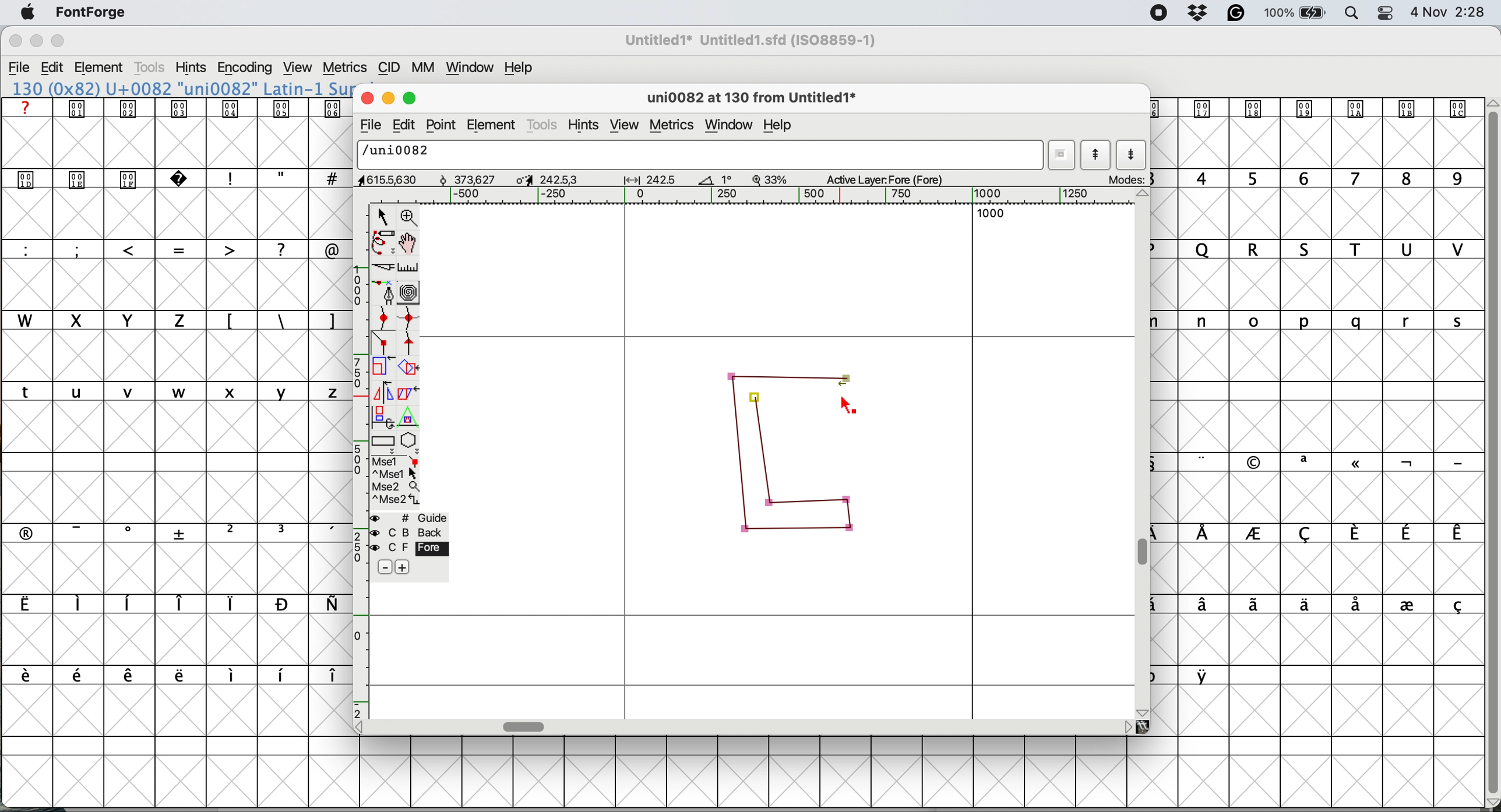 This screenshot has width=1501, height=812. Describe the element at coordinates (1331, 534) in the screenshot. I see `symbols` at that location.